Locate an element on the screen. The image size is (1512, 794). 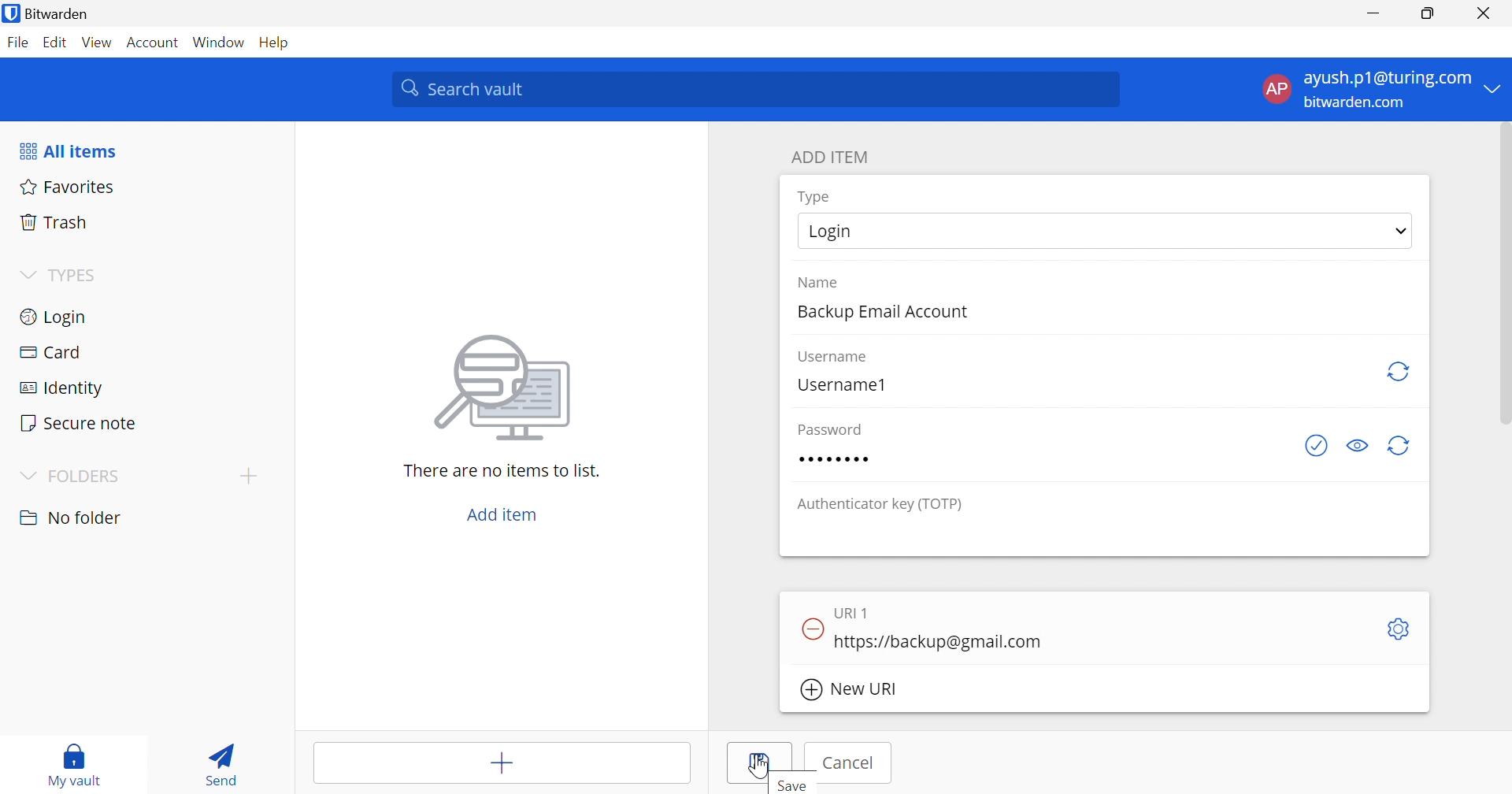
All items is located at coordinates (70, 150).